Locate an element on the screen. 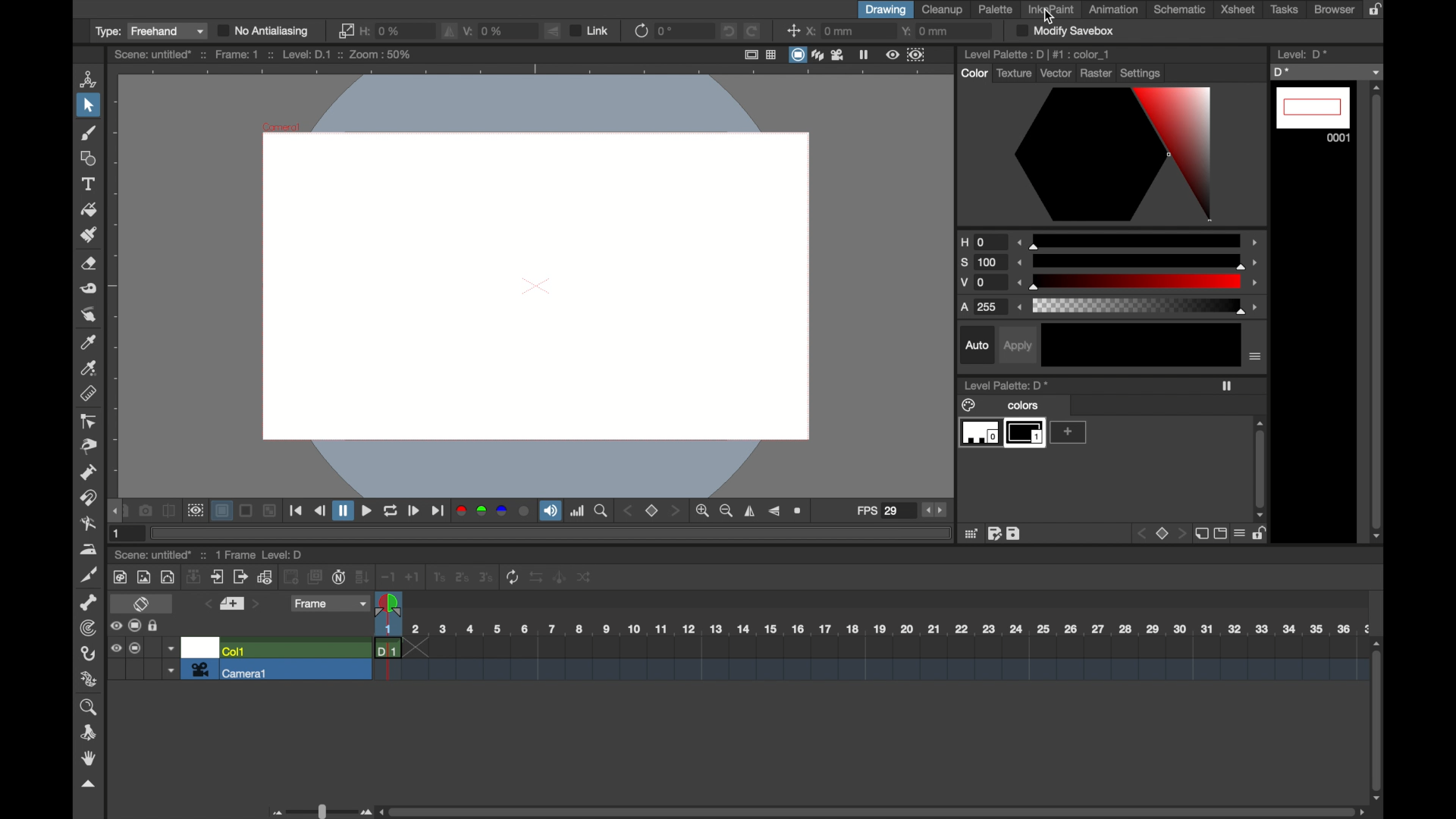 This screenshot has width=1456, height=819. fullscreen is located at coordinates (752, 54).